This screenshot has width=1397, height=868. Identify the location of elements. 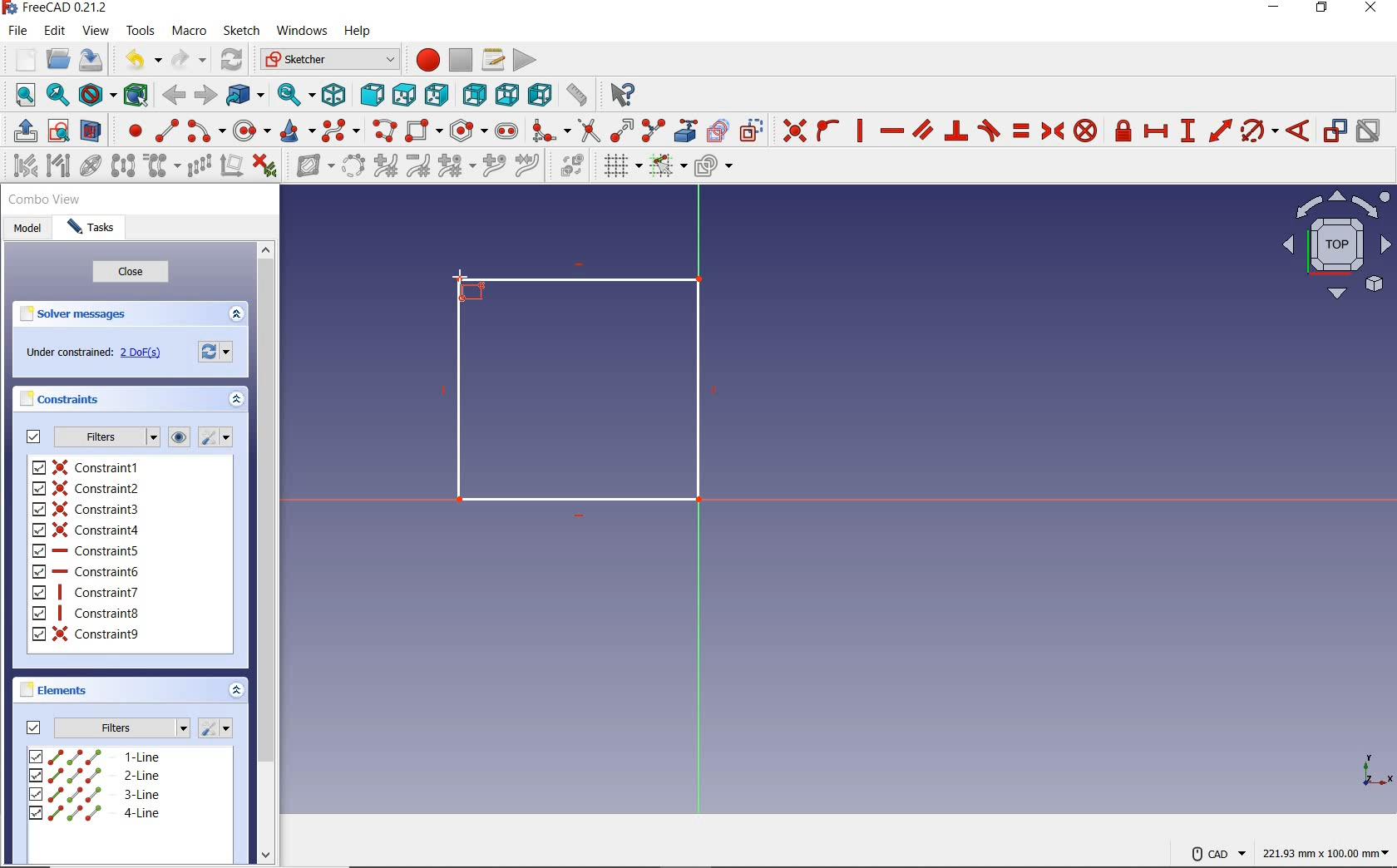
(84, 692).